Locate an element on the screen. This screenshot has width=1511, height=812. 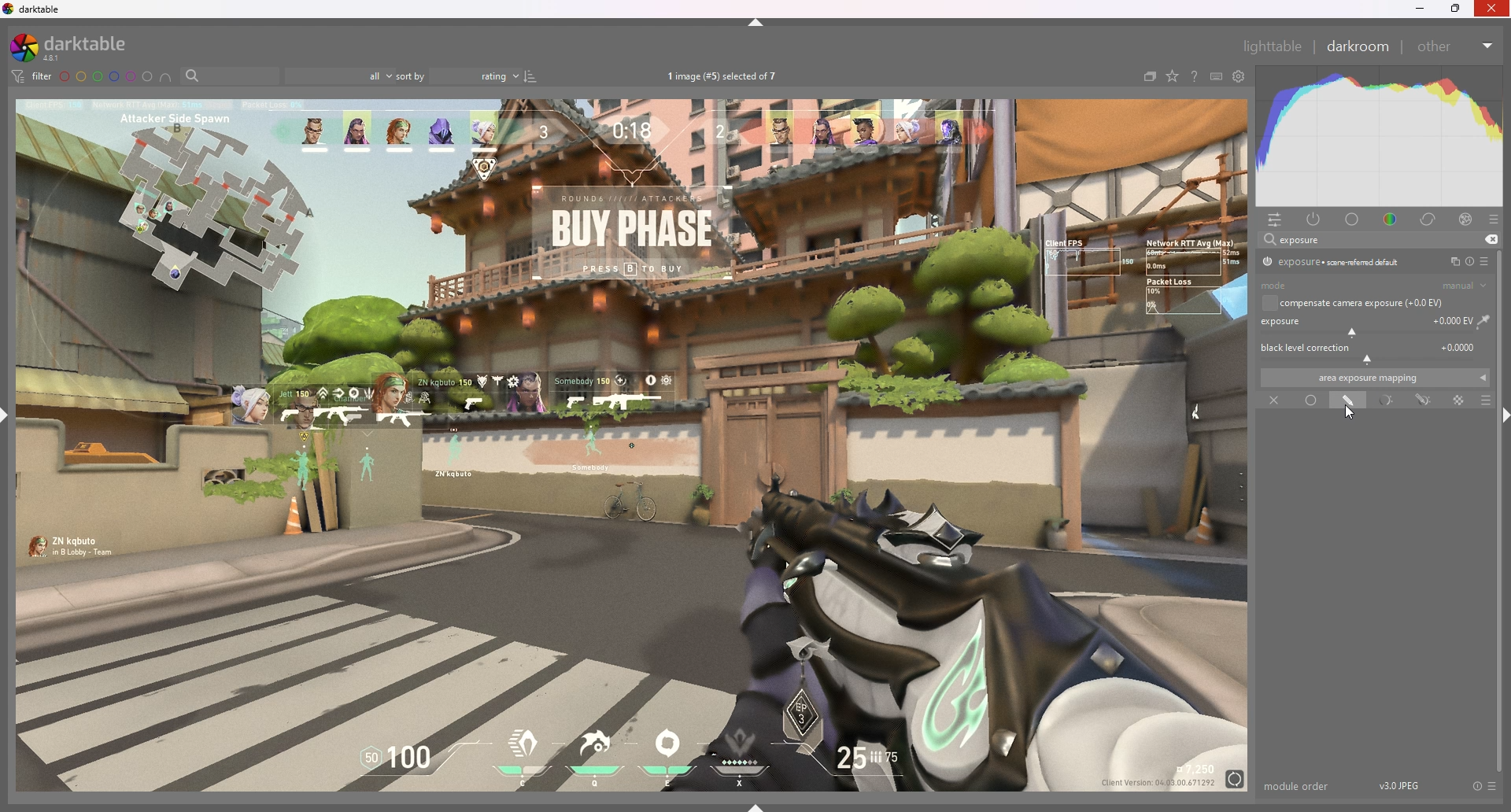
sort by is located at coordinates (459, 76).